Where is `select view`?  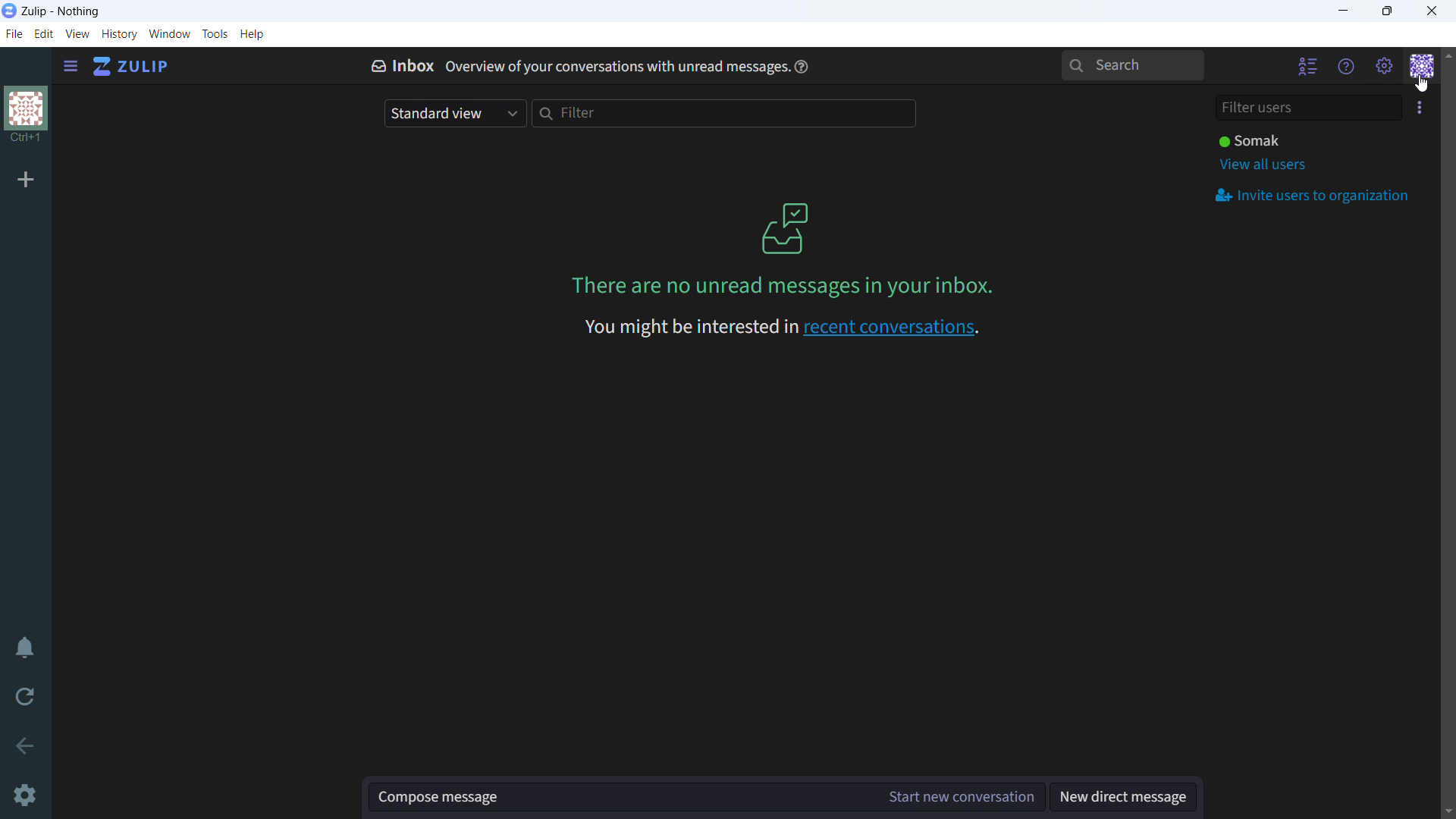 select view is located at coordinates (454, 113).